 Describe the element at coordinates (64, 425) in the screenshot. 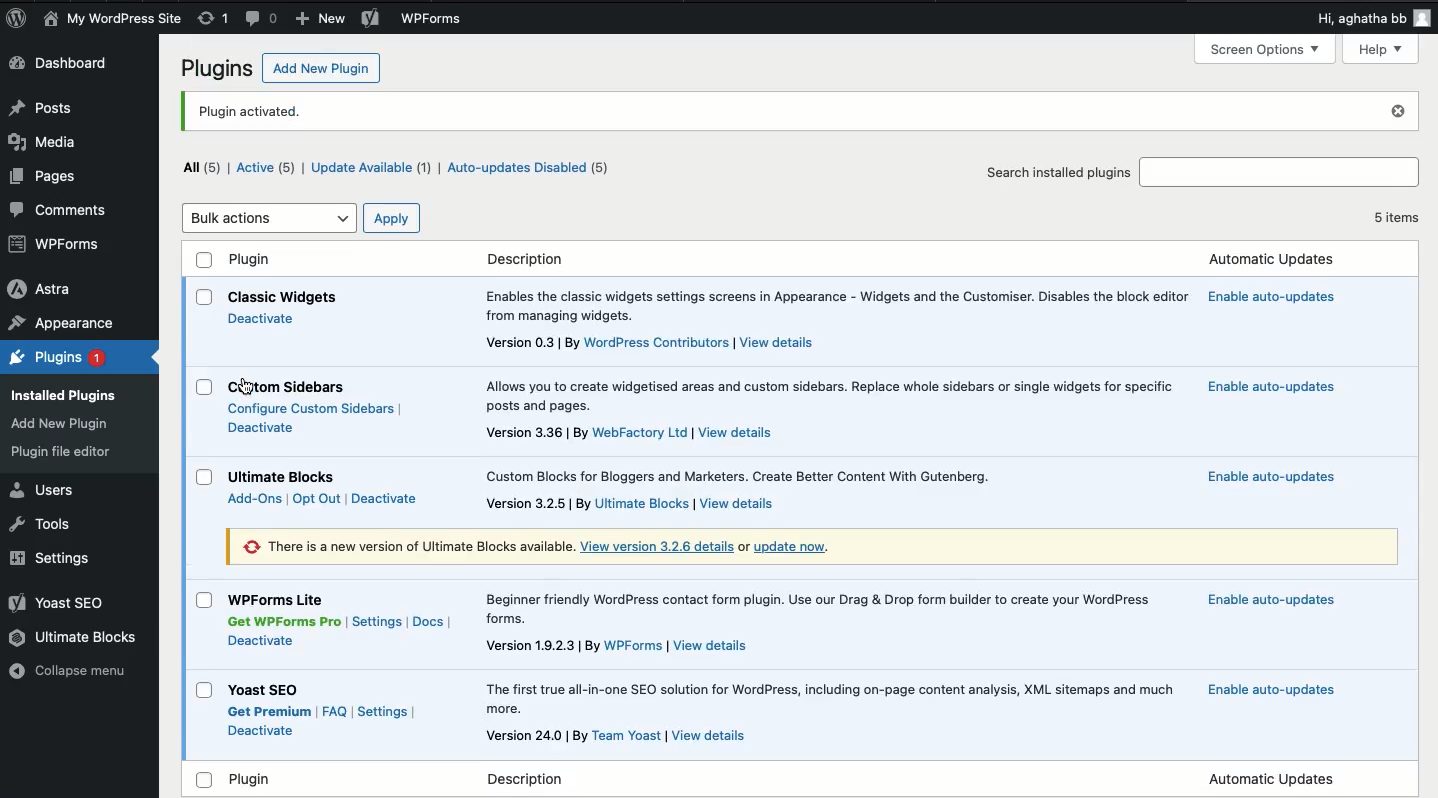

I see `Add new plugin` at that location.